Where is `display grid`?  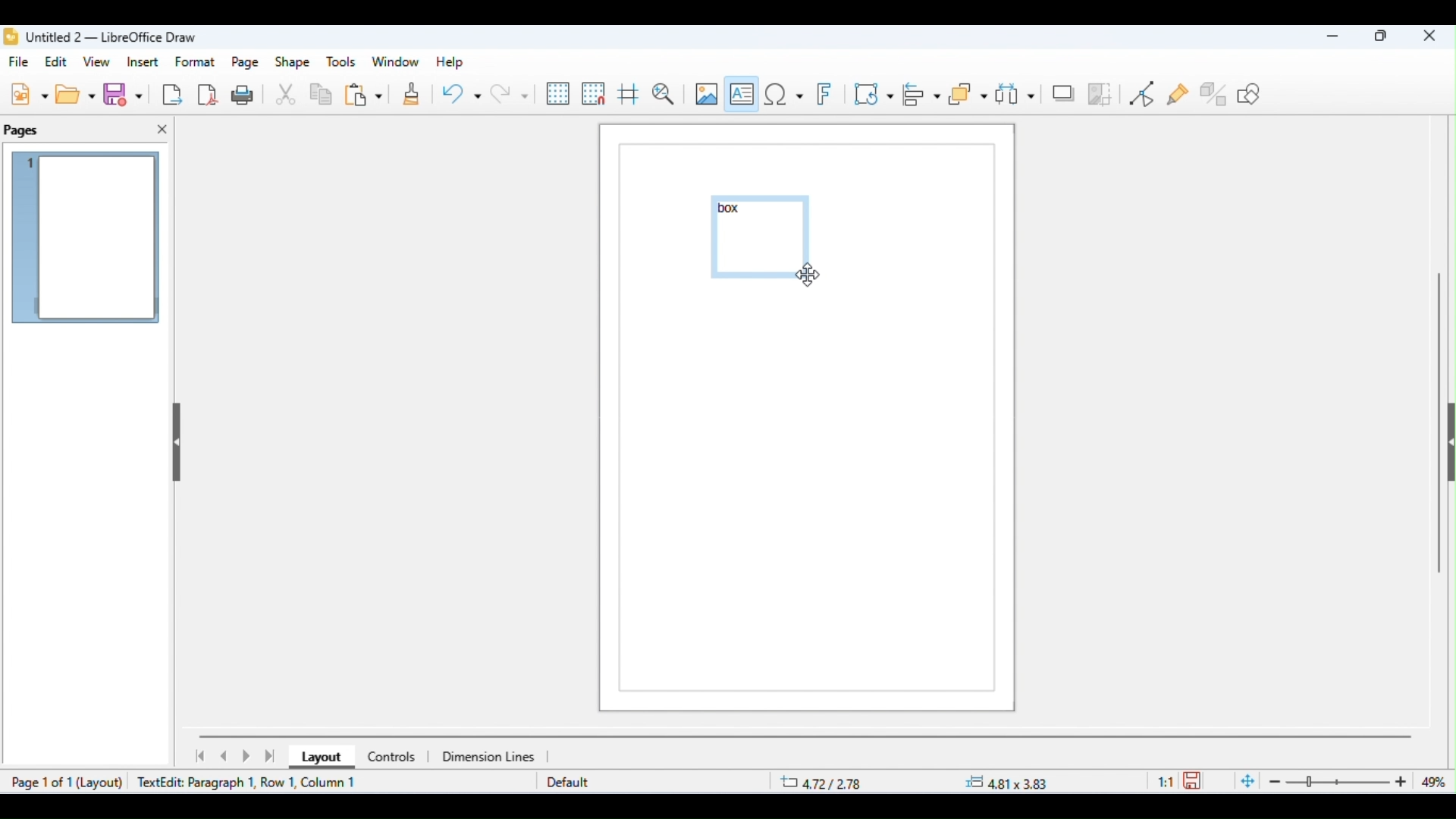
display grid is located at coordinates (559, 94).